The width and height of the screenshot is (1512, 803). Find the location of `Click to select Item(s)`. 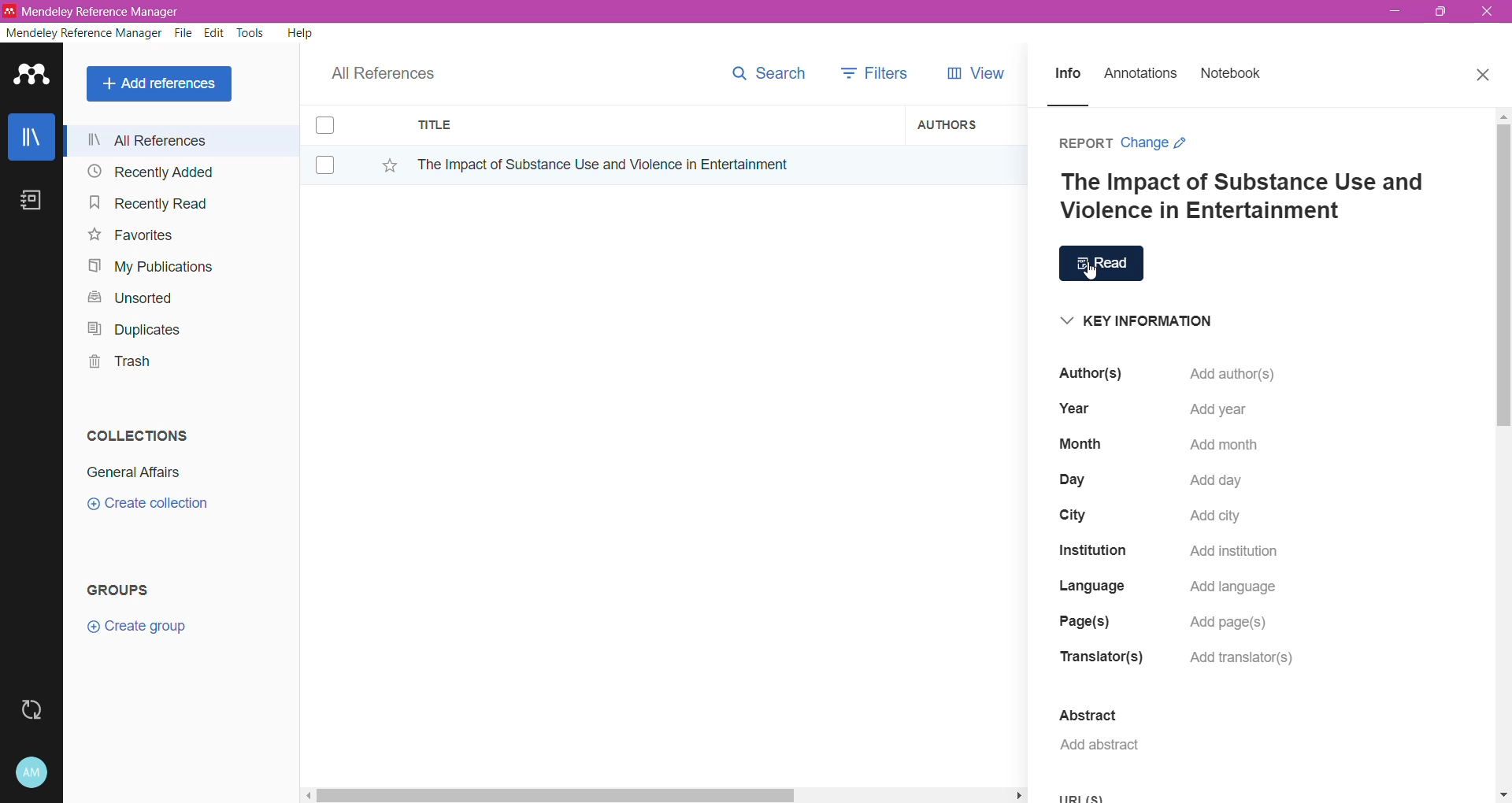

Click to select Item(s) is located at coordinates (324, 124).